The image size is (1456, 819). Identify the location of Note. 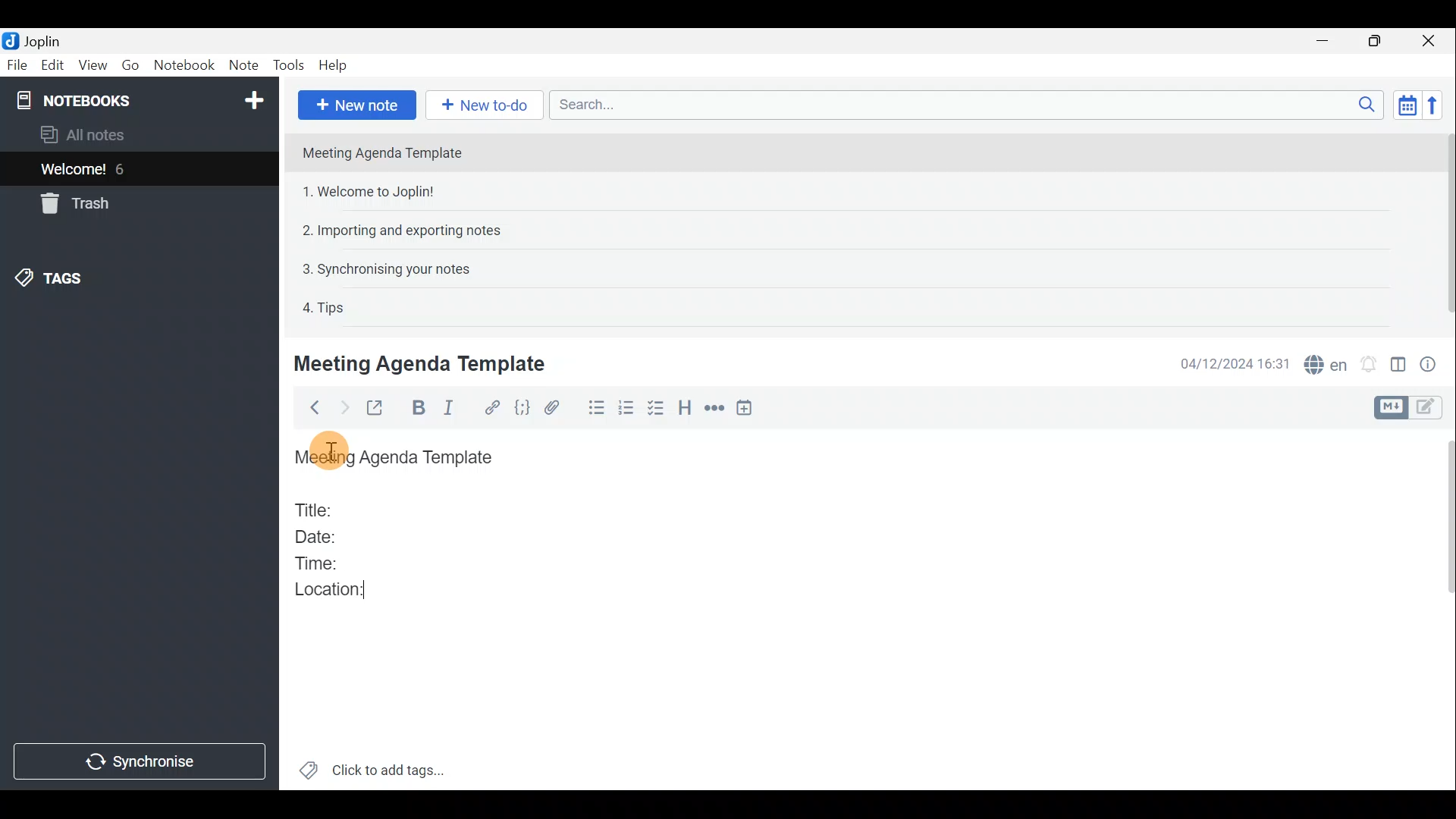
(242, 62).